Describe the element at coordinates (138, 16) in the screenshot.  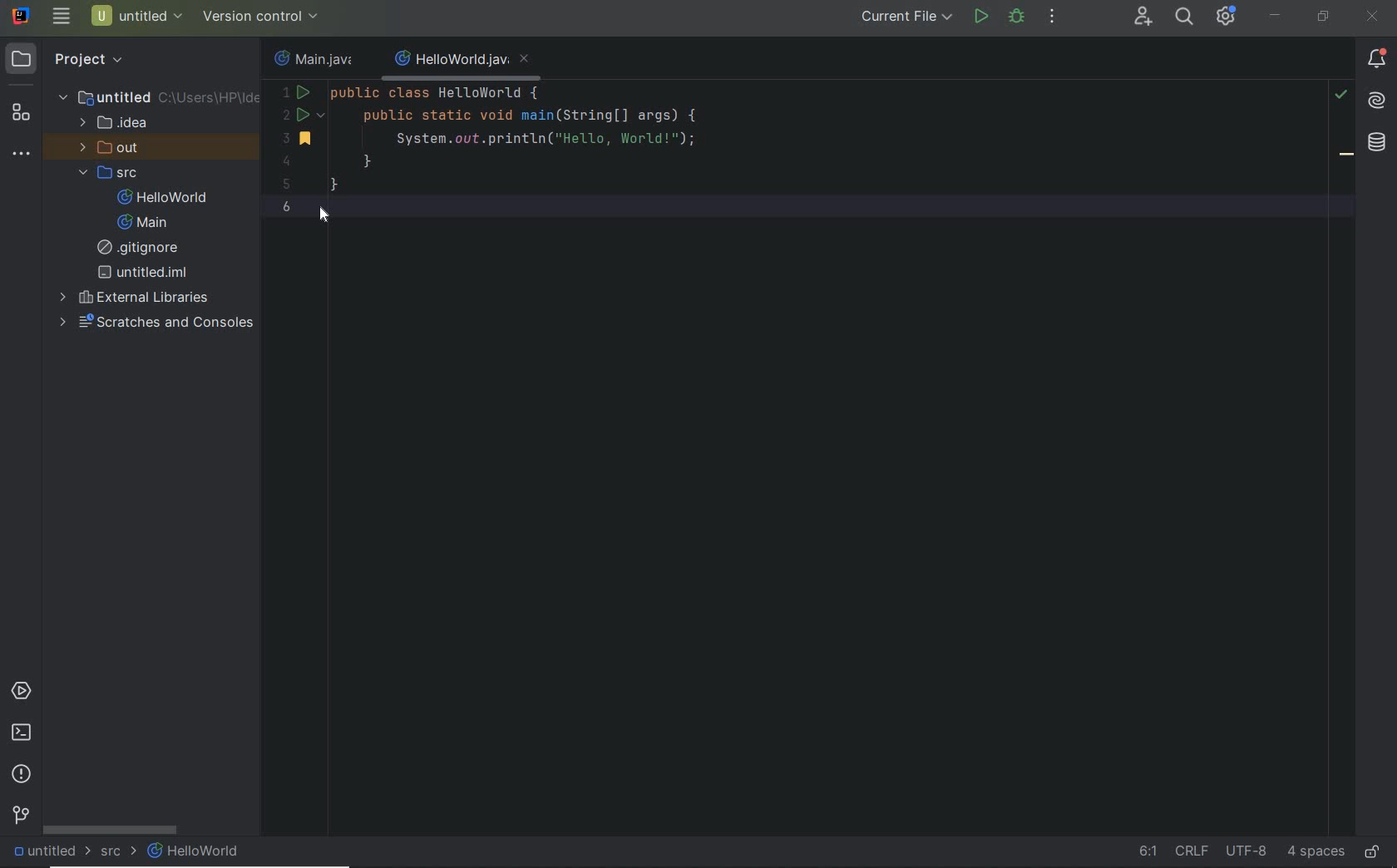
I see `project name` at that location.